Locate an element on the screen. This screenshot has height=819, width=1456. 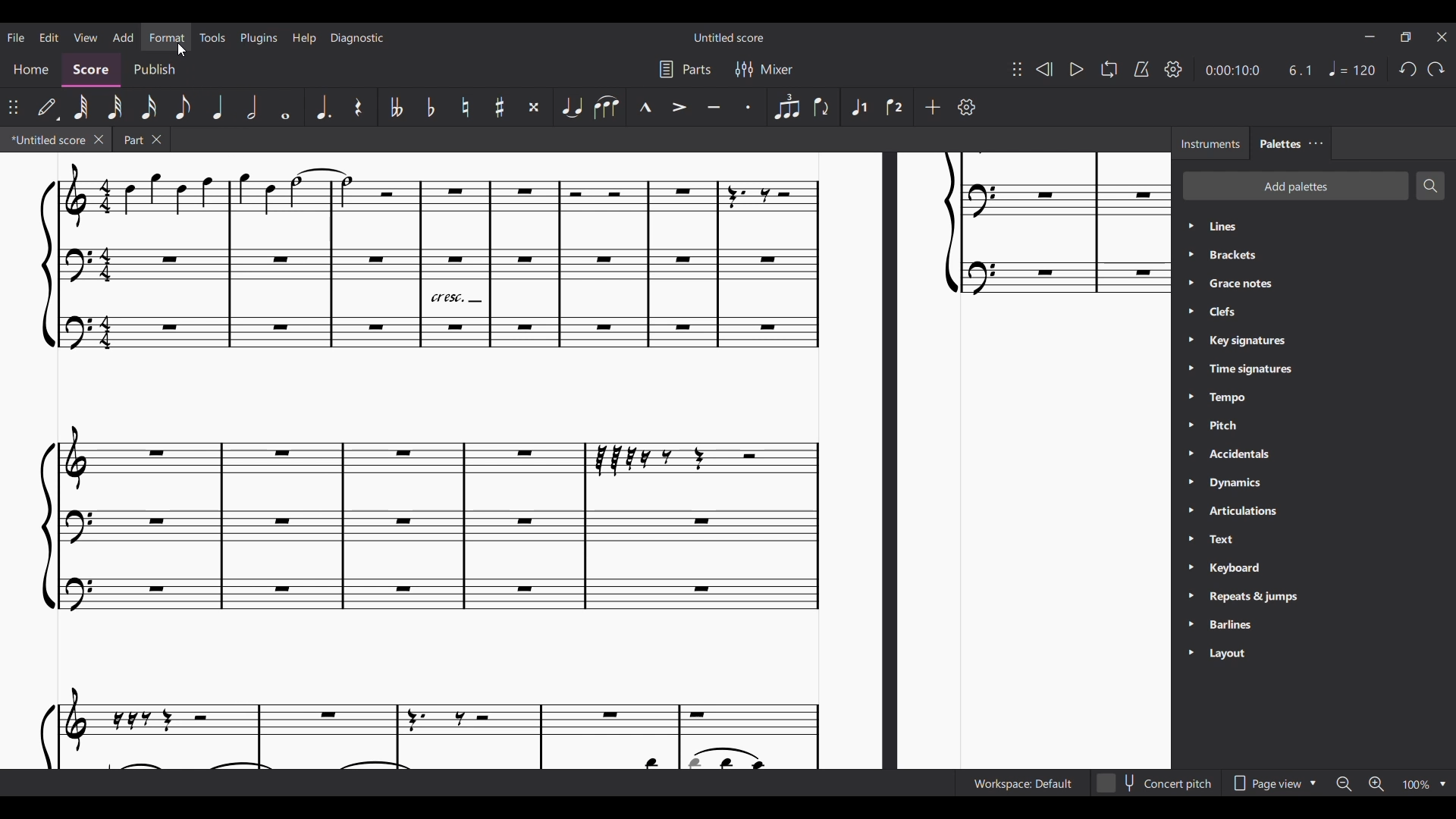
Staccato is located at coordinates (750, 108).